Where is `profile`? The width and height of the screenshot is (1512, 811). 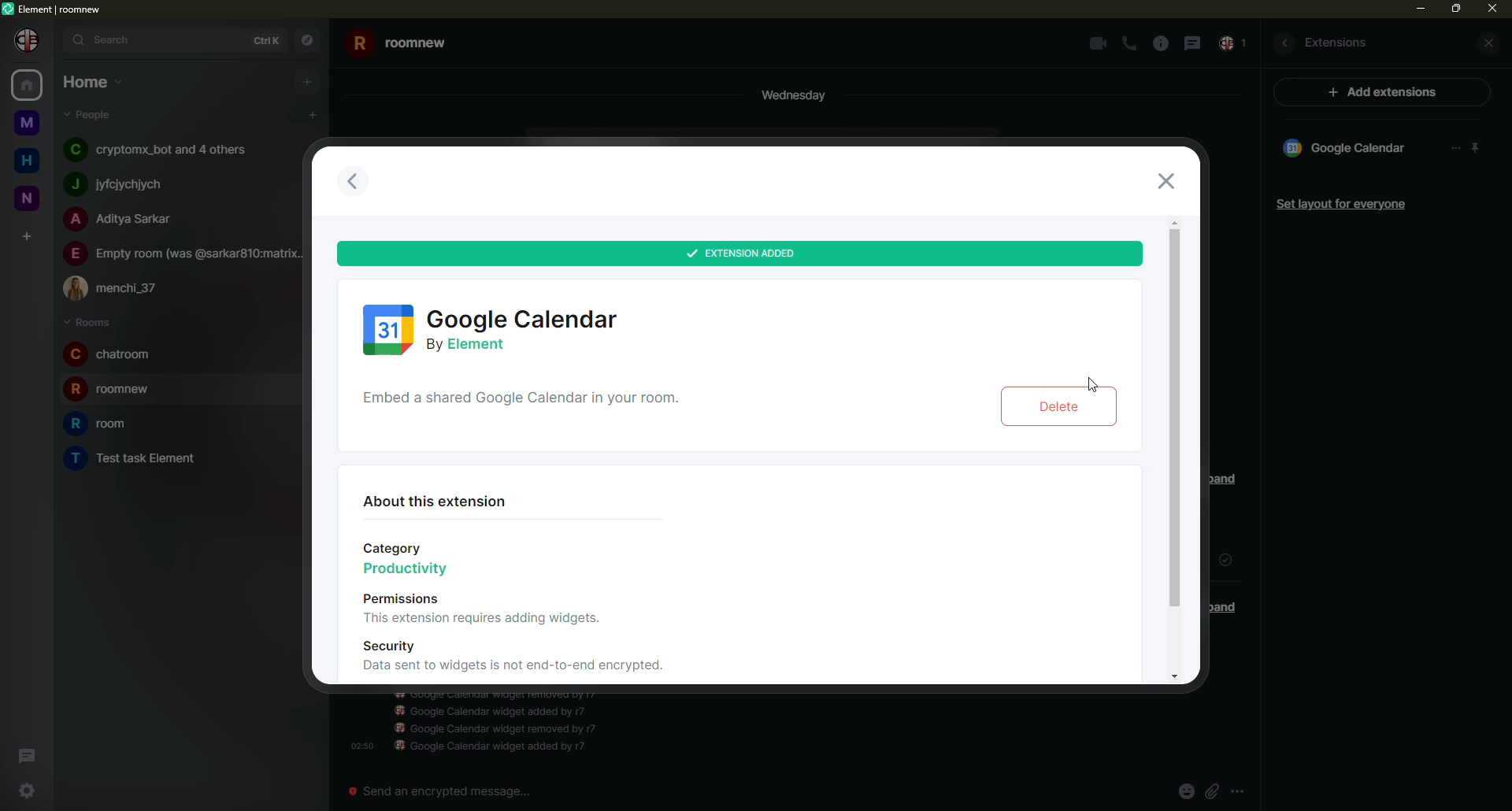 profile is located at coordinates (28, 41).